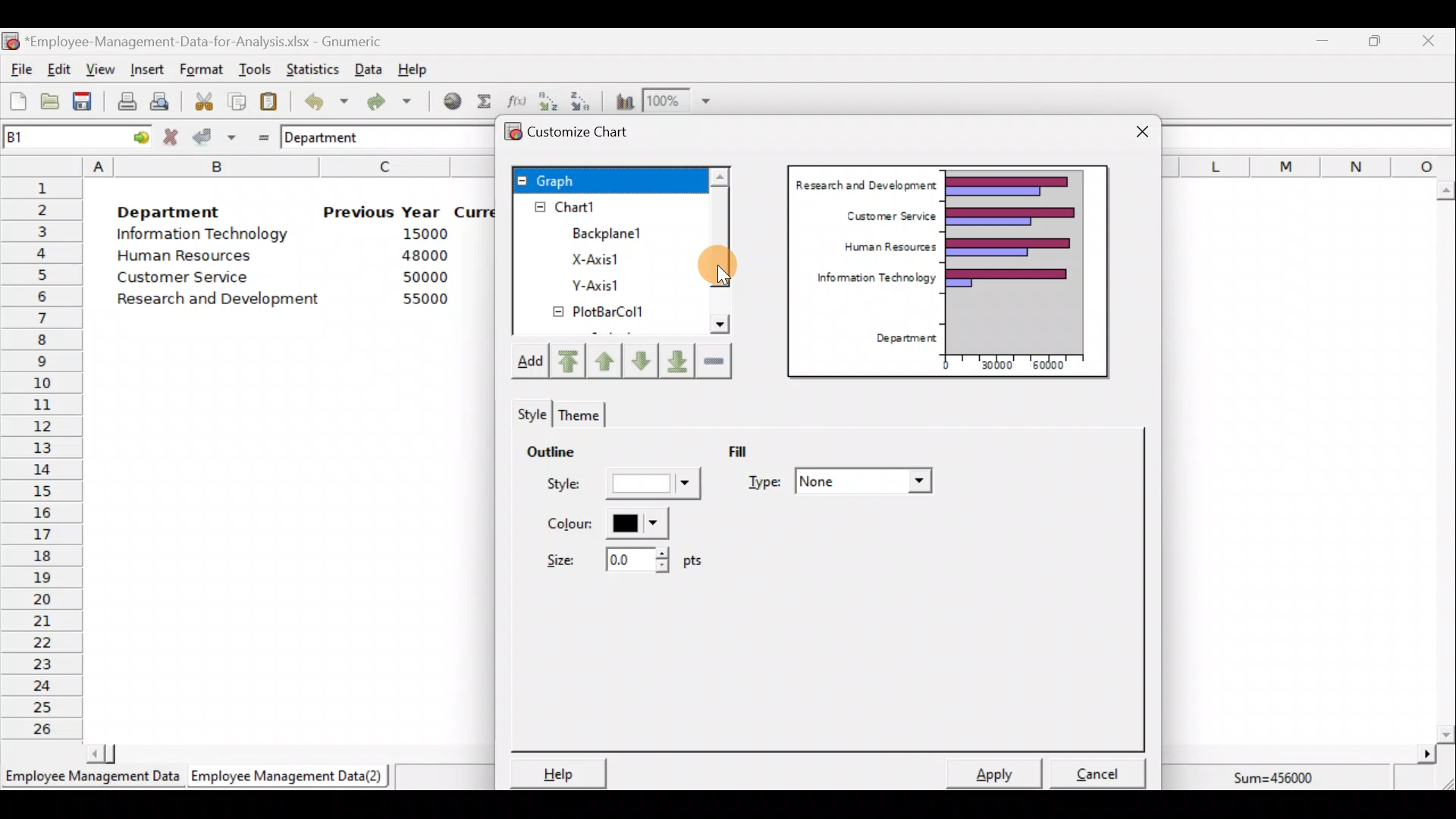 This screenshot has width=1456, height=819. Describe the element at coordinates (87, 104) in the screenshot. I see `Save the current workbook` at that location.